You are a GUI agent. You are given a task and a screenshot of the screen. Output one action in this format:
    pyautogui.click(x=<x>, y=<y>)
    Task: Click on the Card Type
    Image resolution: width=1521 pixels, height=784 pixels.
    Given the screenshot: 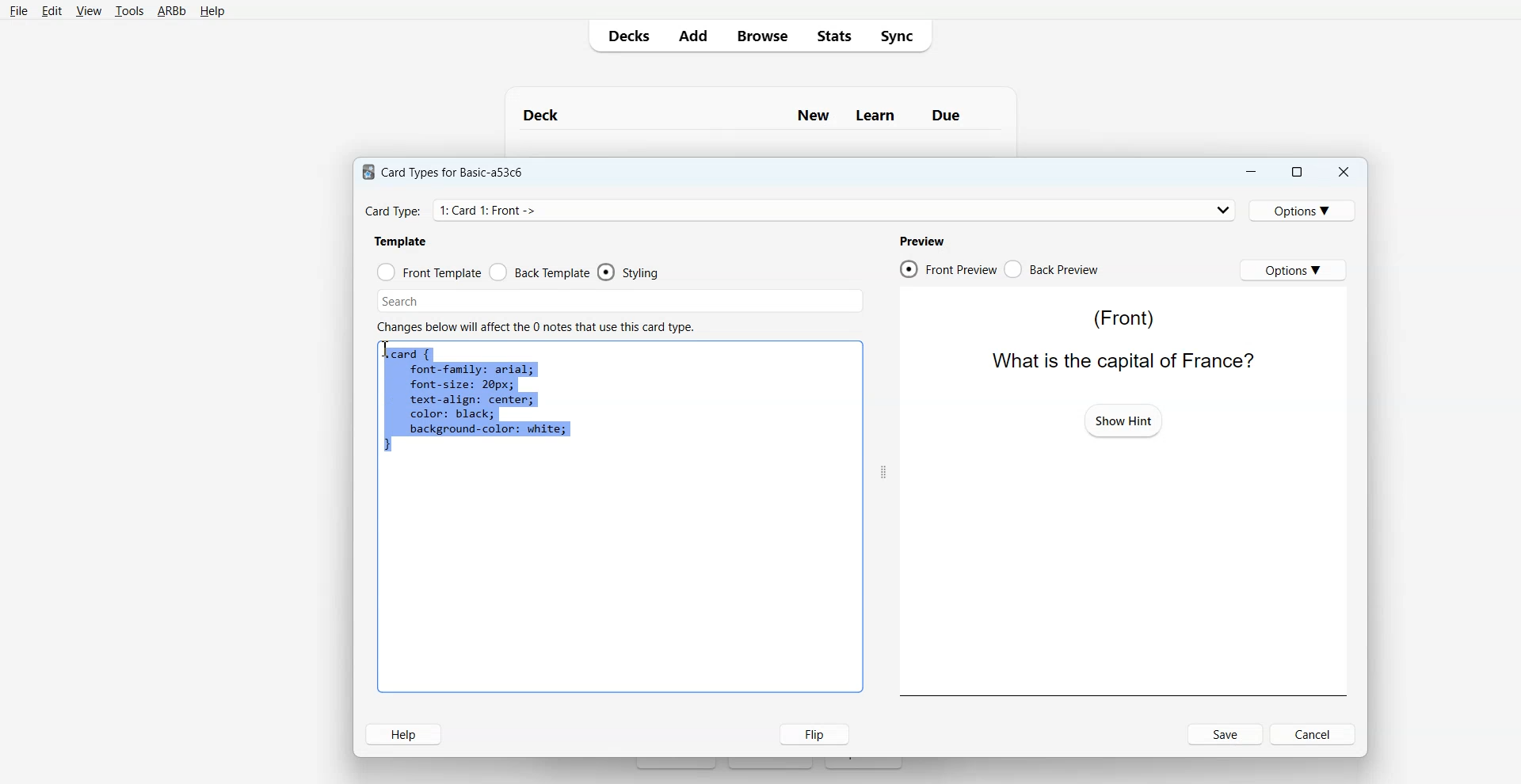 What is the action you would take?
    pyautogui.click(x=801, y=210)
    